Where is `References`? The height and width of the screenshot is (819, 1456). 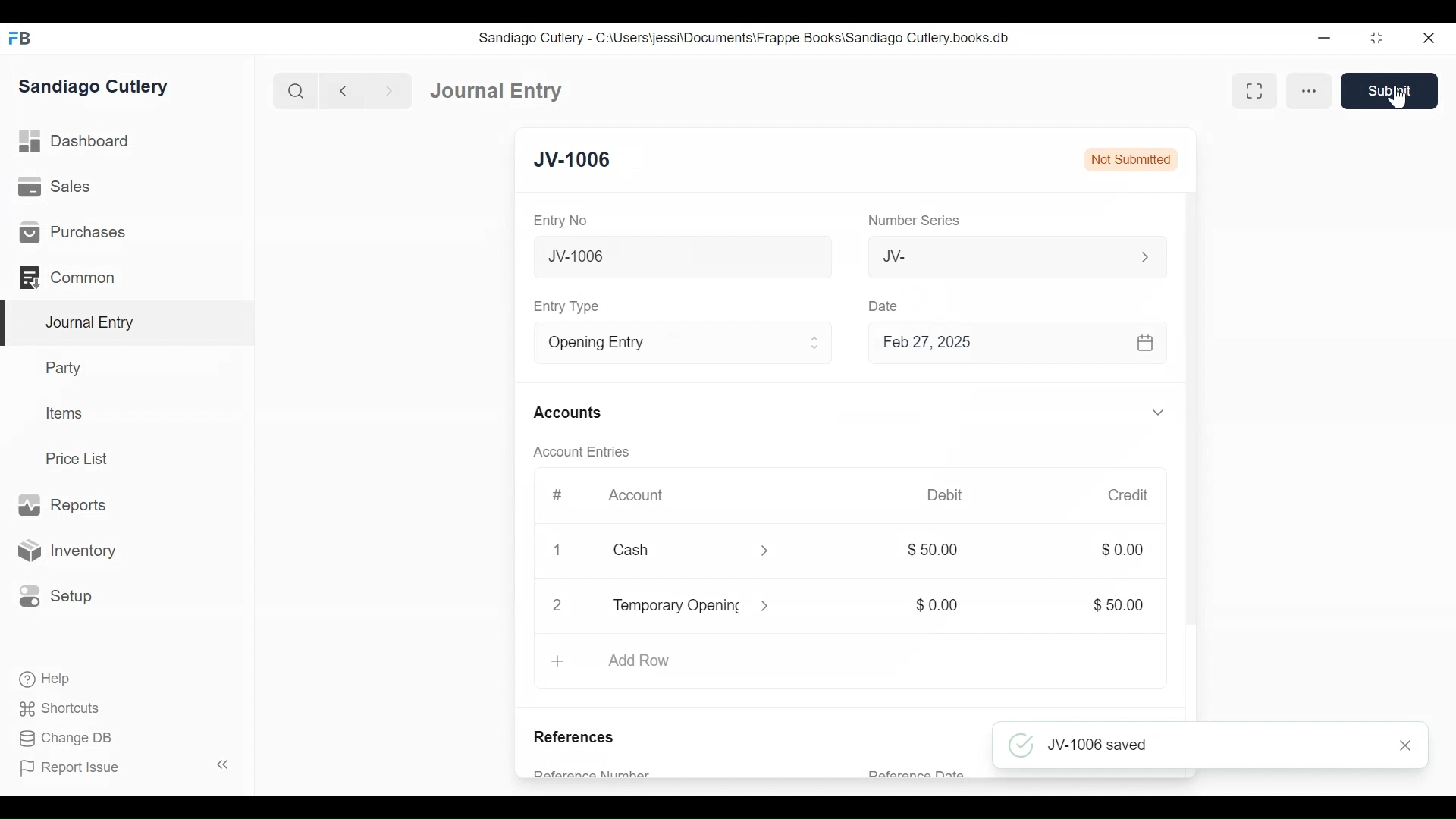
References is located at coordinates (579, 739).